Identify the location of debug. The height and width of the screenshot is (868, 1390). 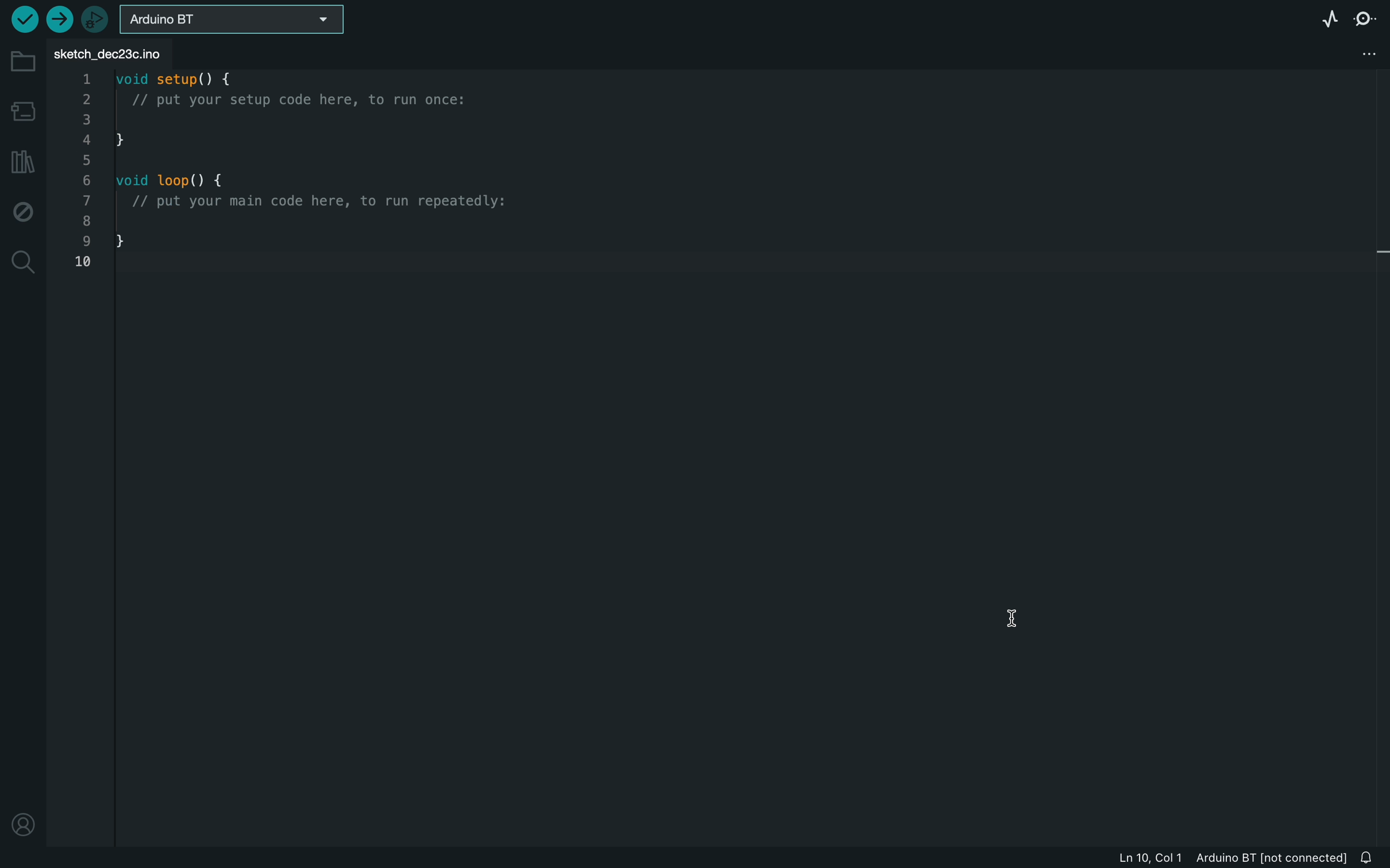
(23, 210).